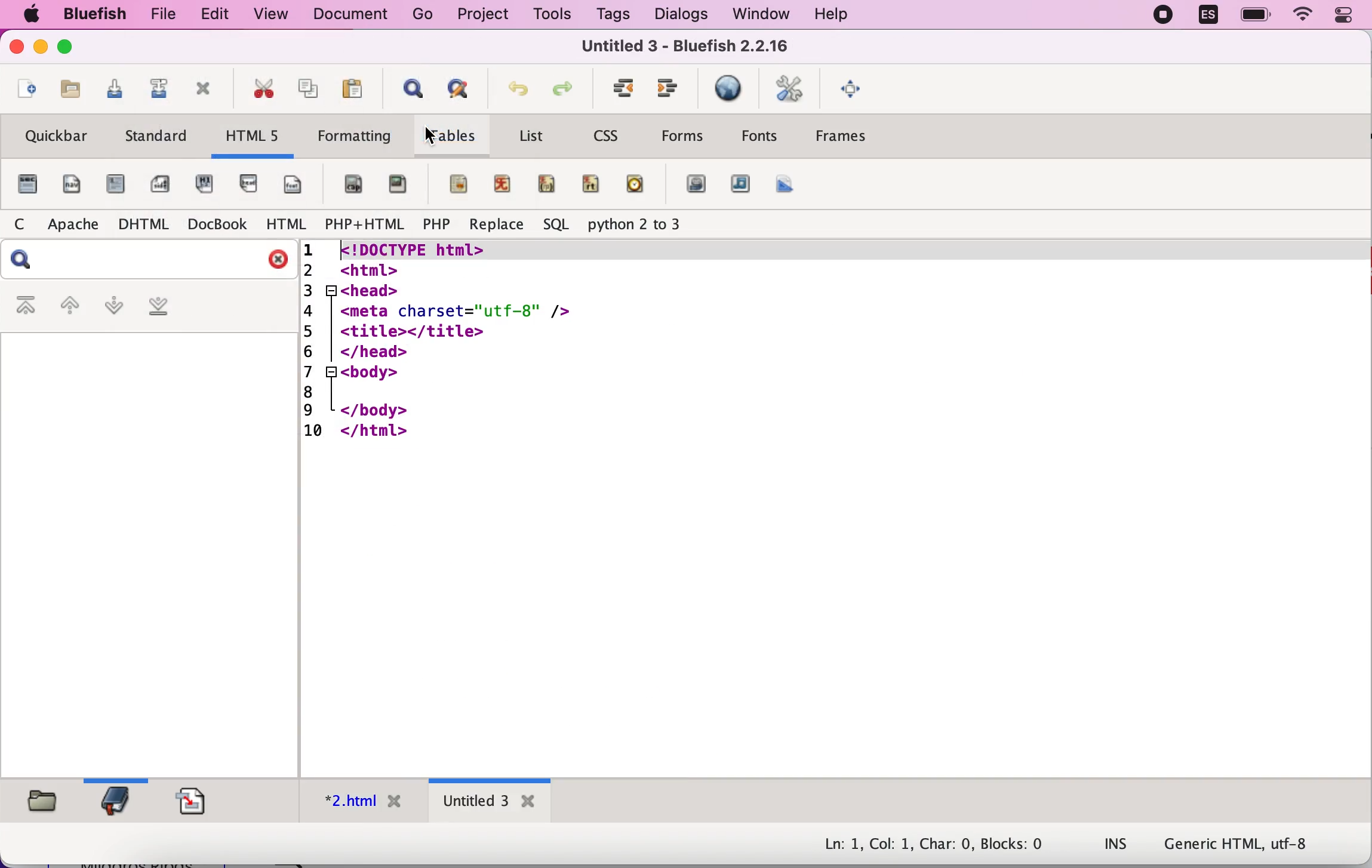 The height and width of the screenshot is (868, 1372). What do you see at coordinates (453, 186) in the screenshot?
I see `ruby mark` at bounding box center [453, 186].